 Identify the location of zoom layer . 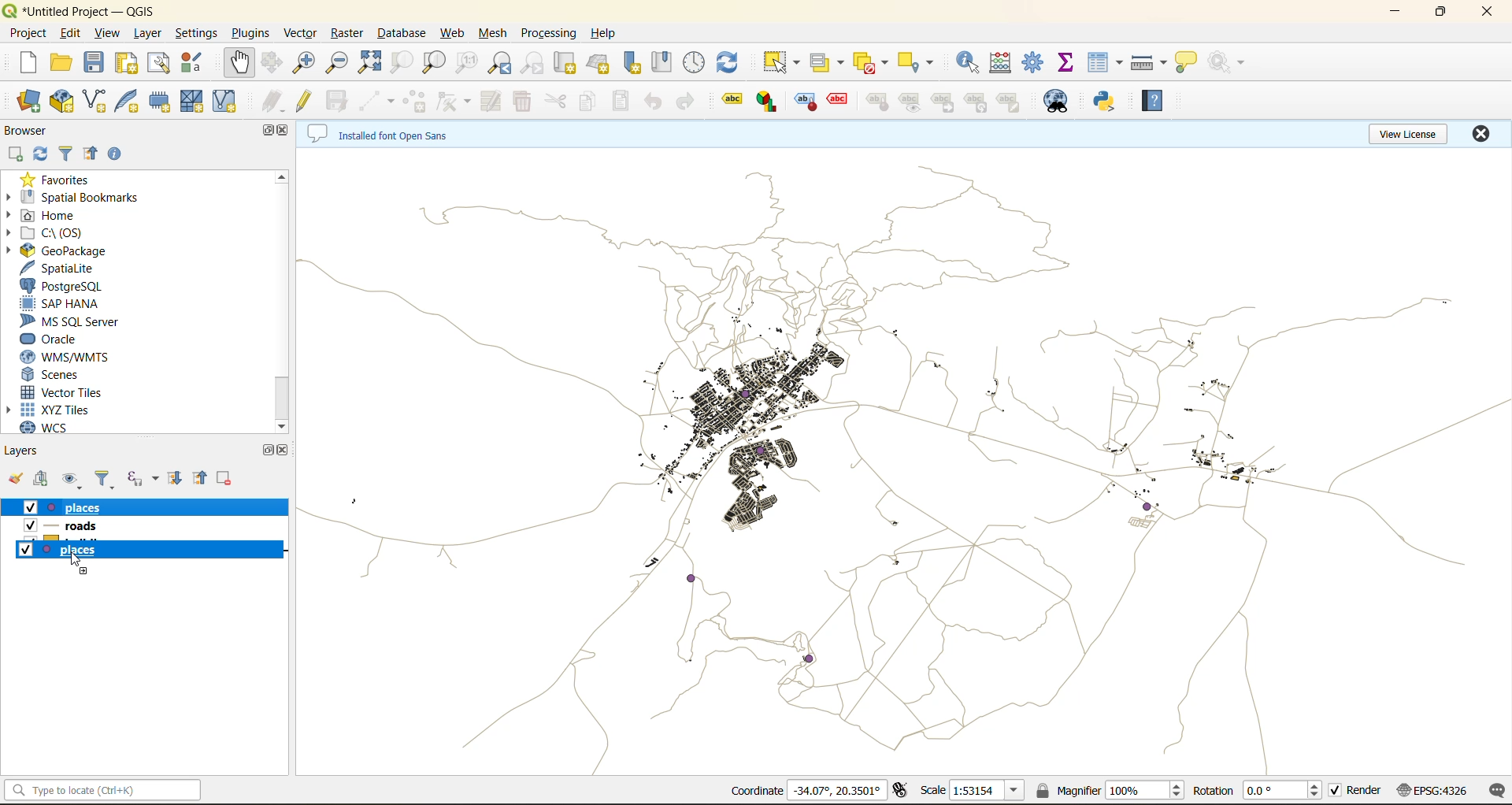
(434, 63).